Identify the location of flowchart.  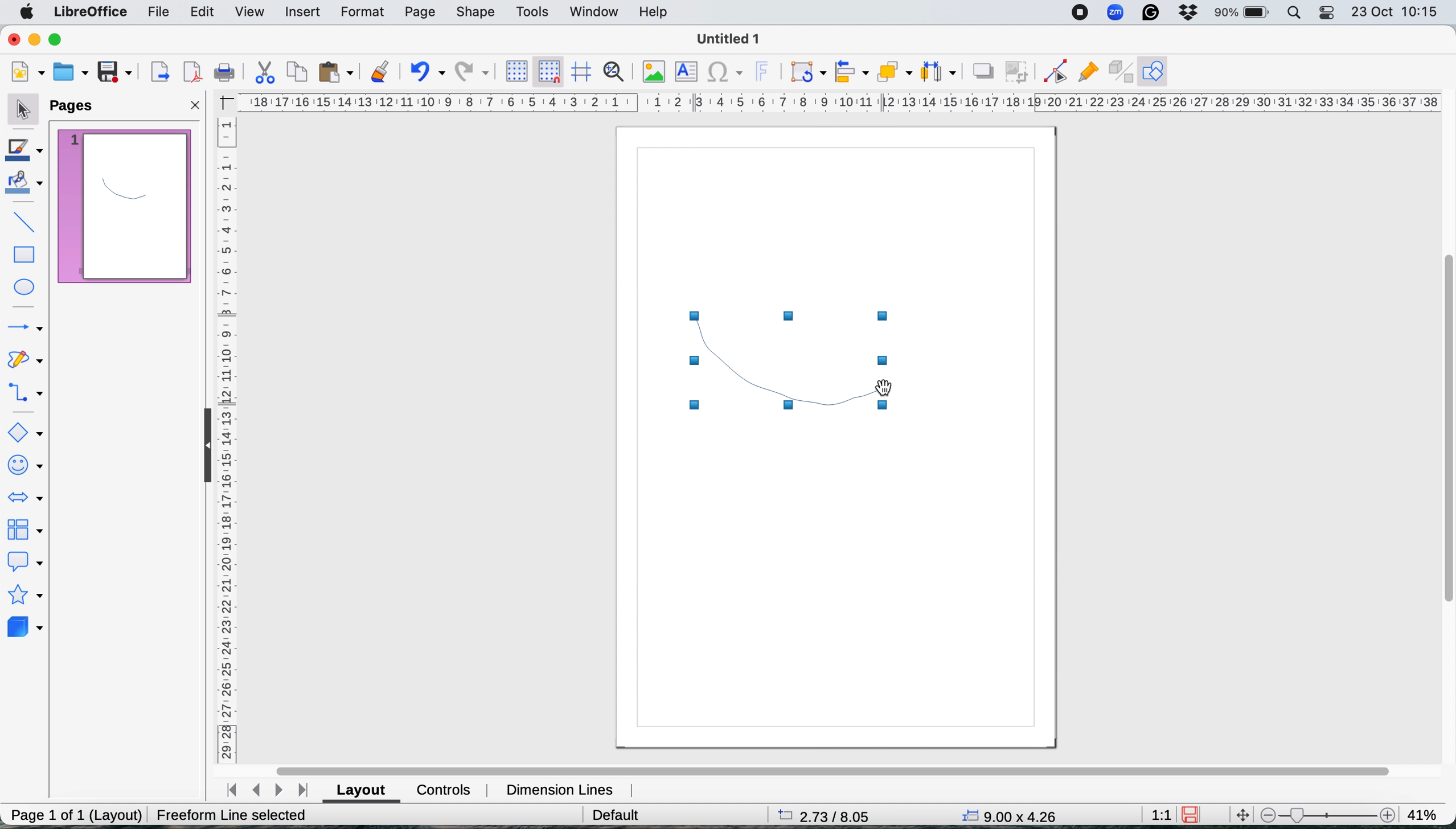
(27, 532).